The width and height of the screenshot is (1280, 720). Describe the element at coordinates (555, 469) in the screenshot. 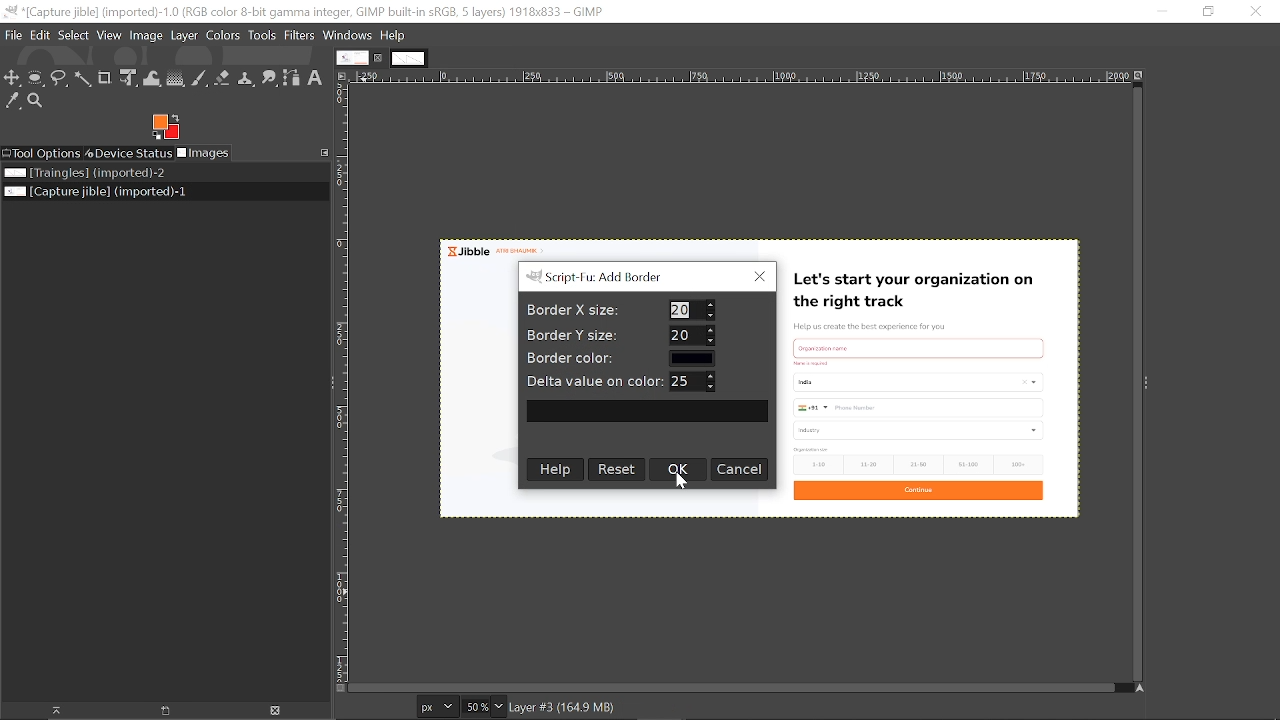

I see `Help` at that location.